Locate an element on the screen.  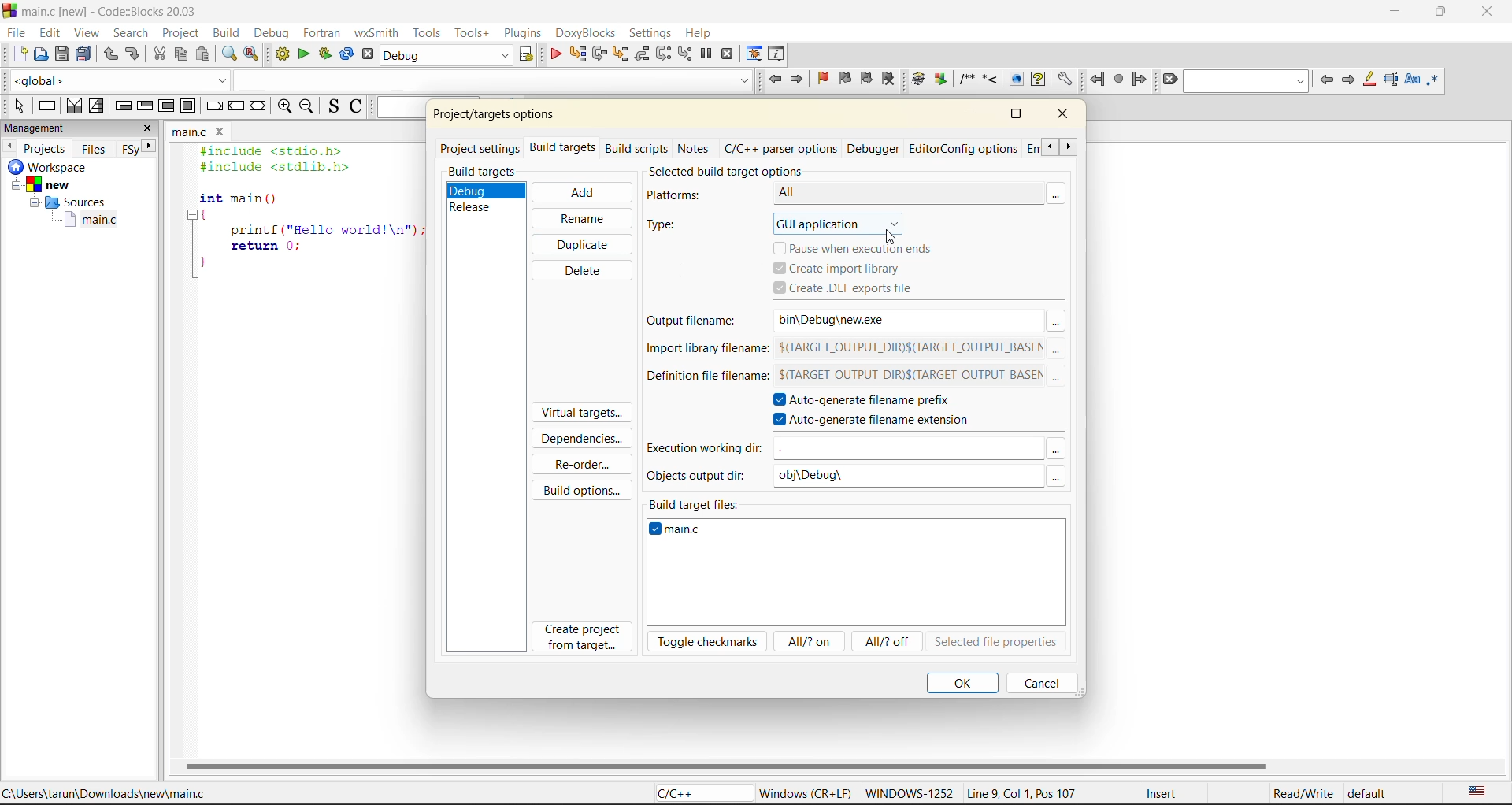
scroll back is located at coordinates (1047, 147).